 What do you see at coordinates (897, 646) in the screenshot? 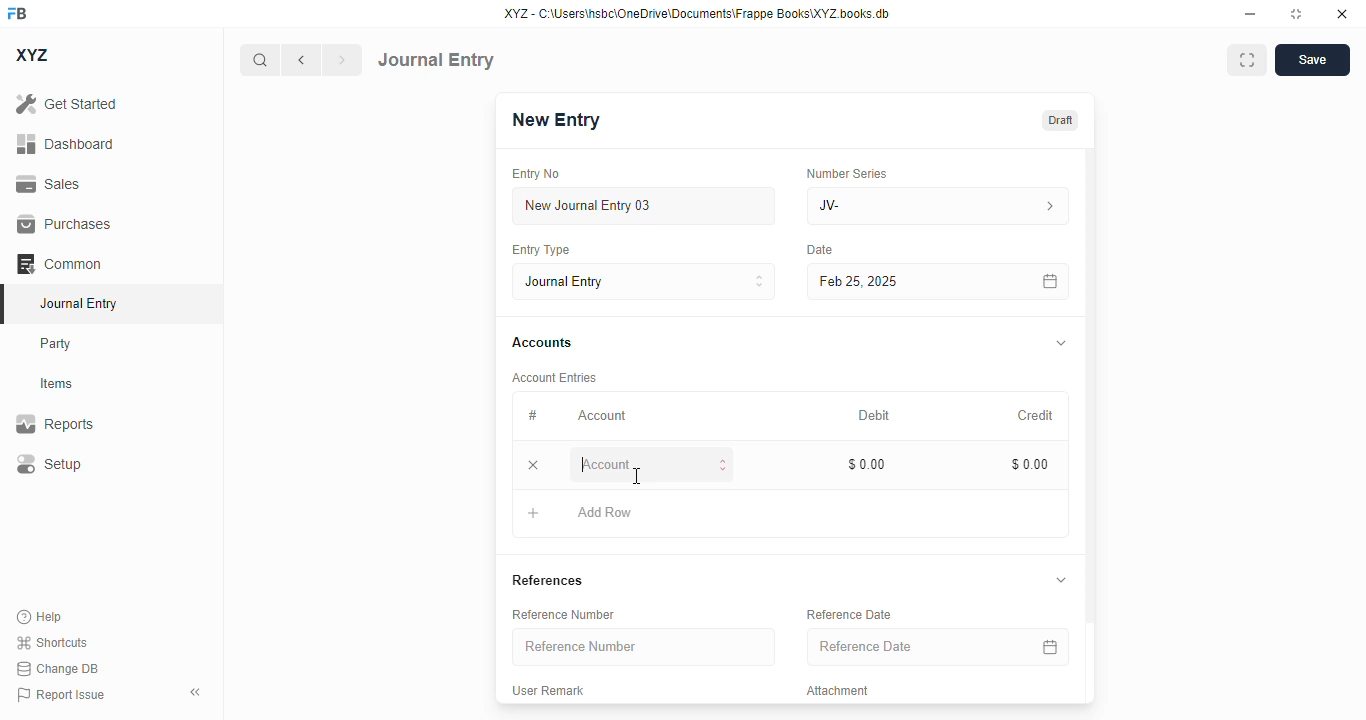
I see `reference date` at bounding box center [897, 646].